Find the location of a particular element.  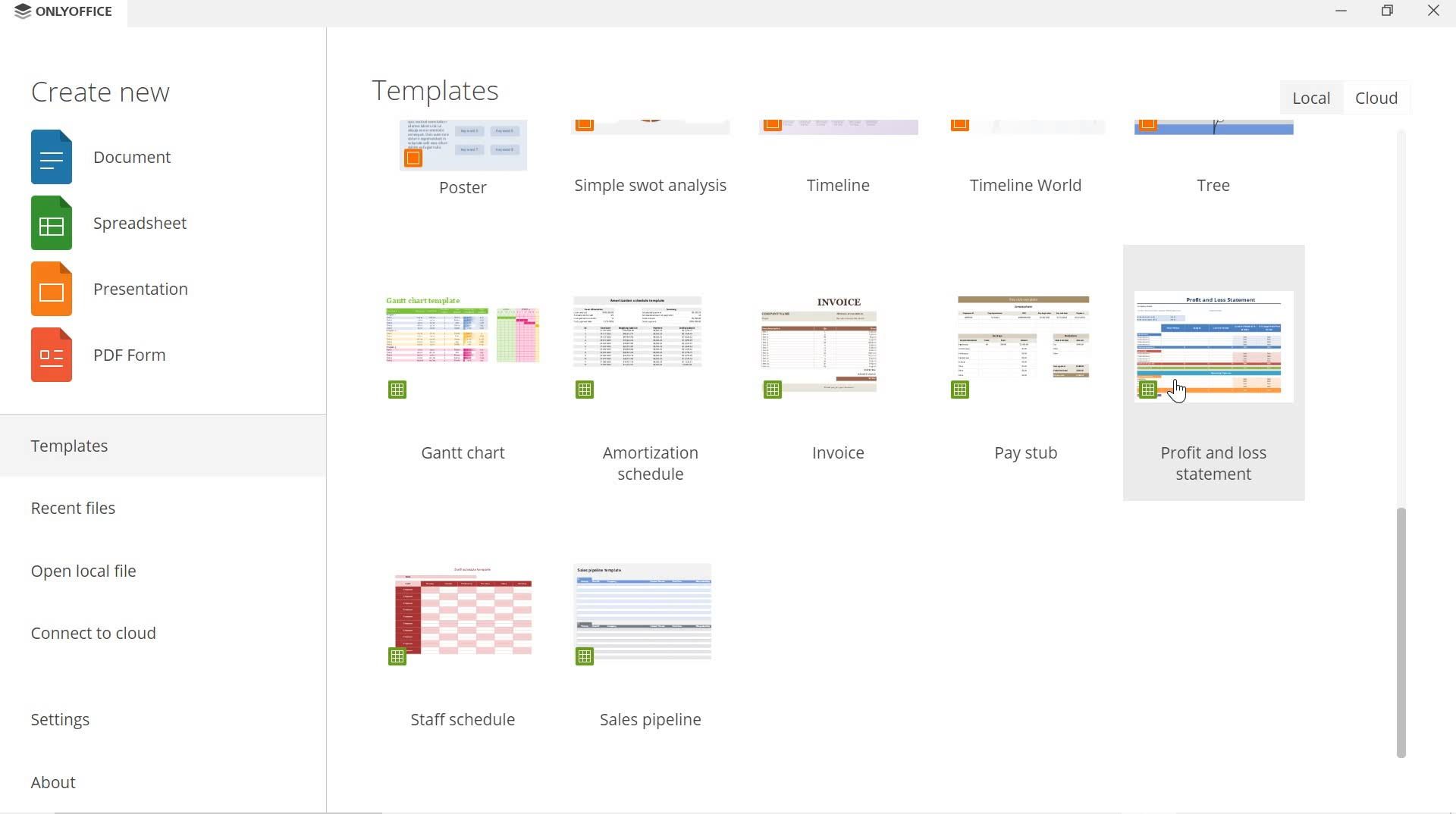

Template design is located at coordinates (1216, 346).